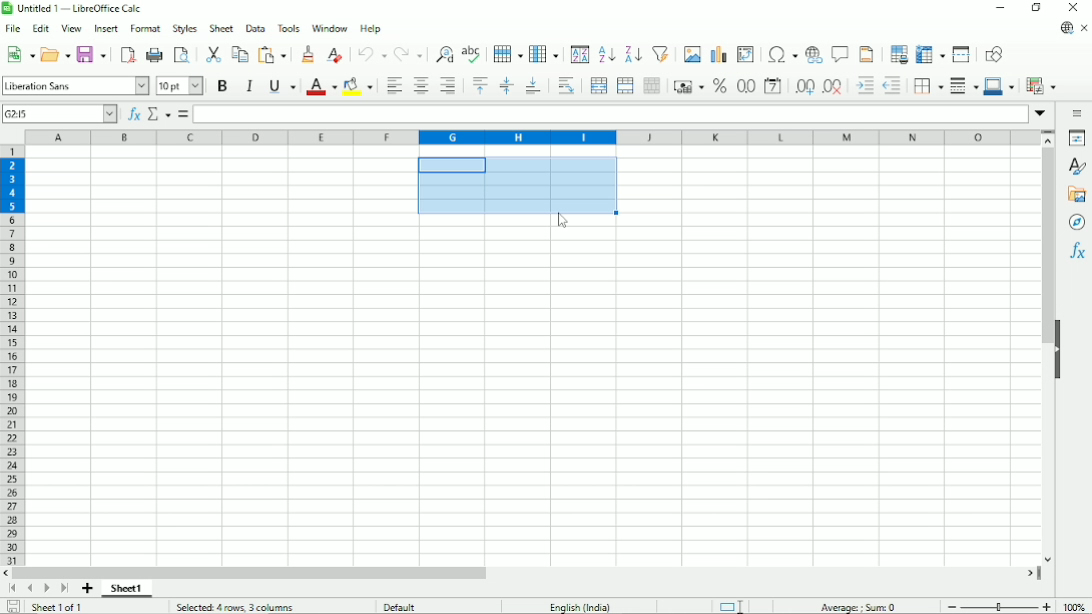 The image size is (1092, 614). What do you see at coordinates (91, 55) in the screenshot?
I see `Save` at bounding box center [91, 55].